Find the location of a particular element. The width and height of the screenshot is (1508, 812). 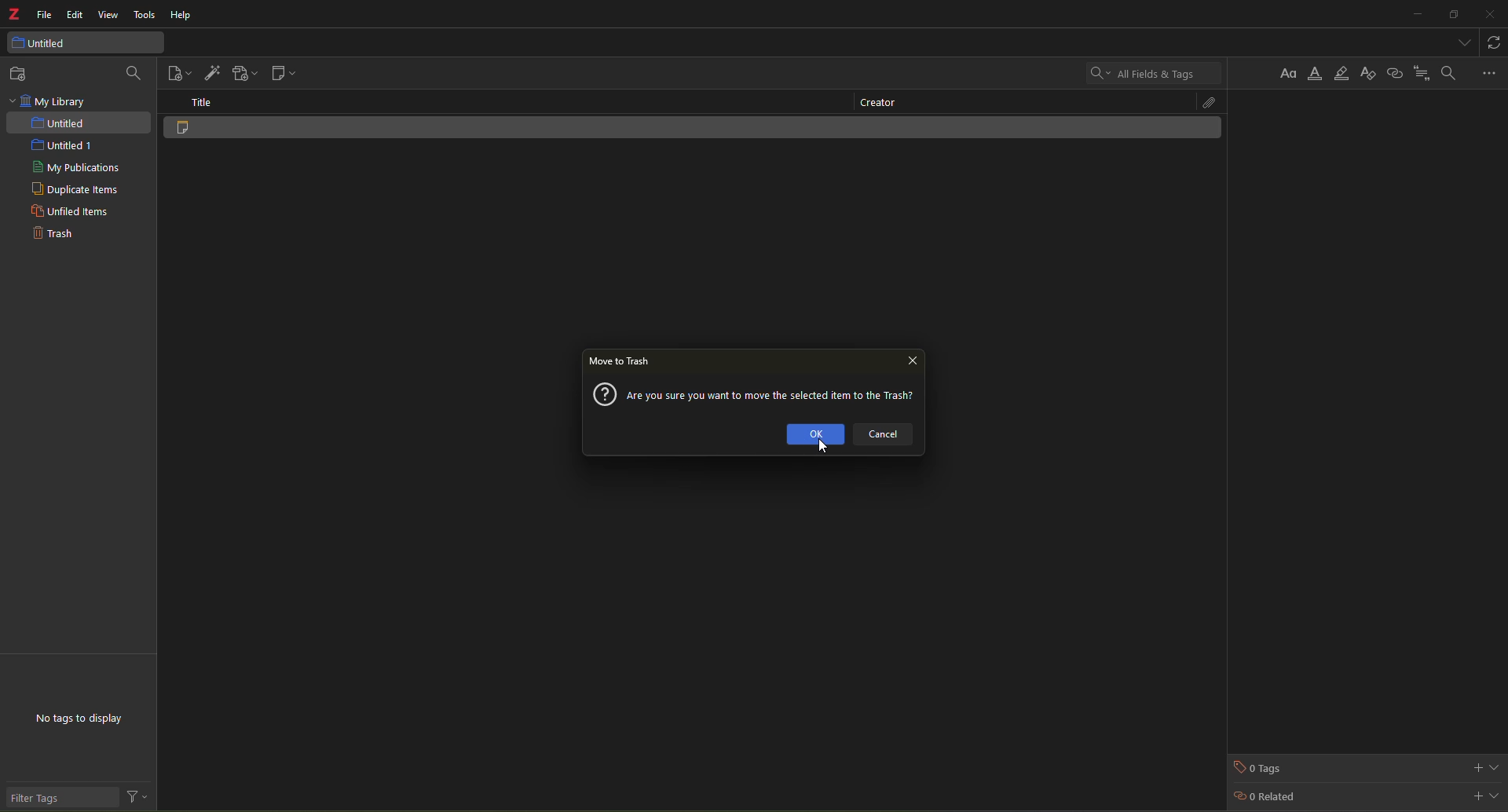

expand is located at coordinates (1495, 766).